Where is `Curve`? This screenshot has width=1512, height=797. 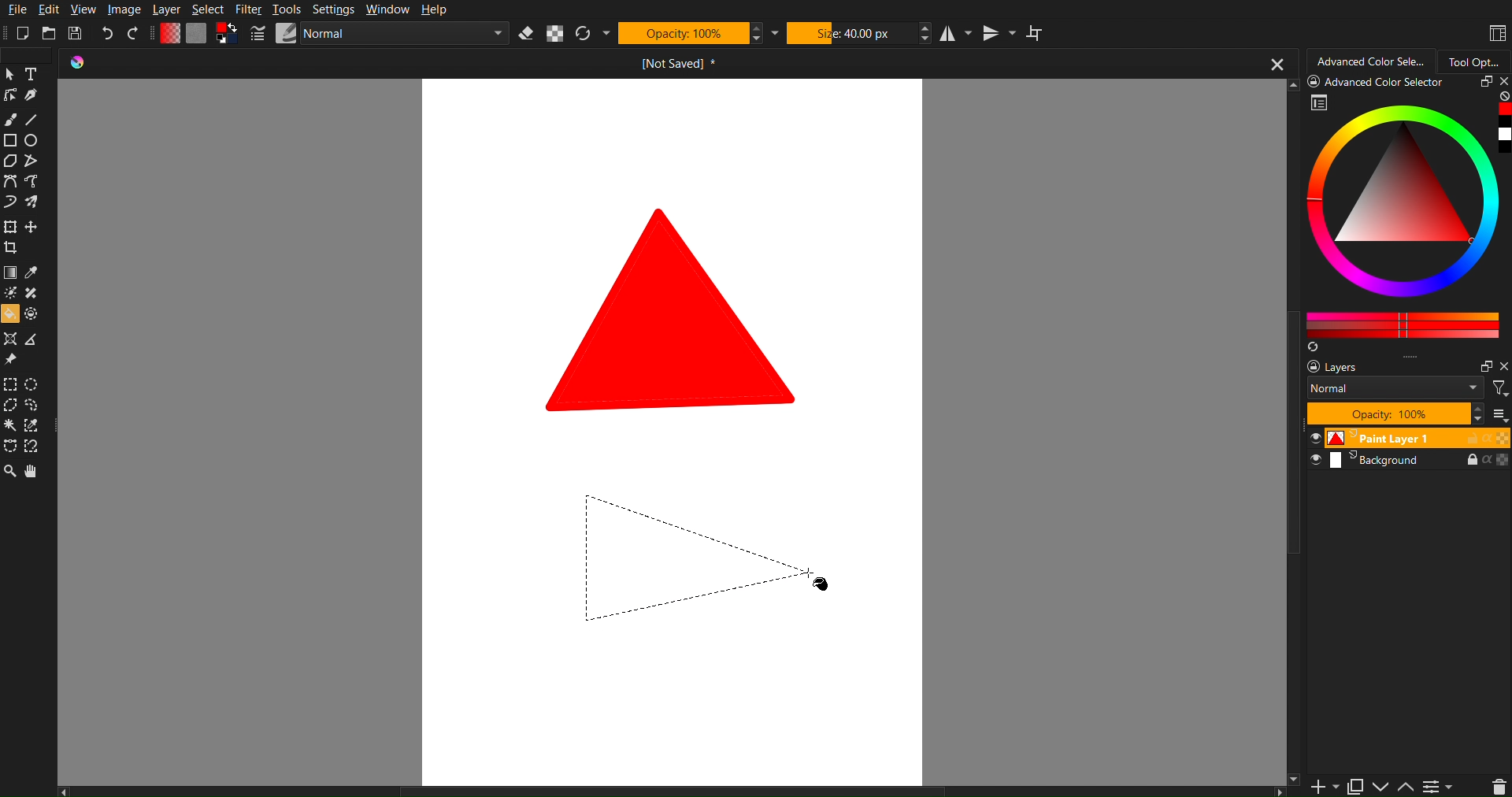 Curve is located at coordinates (9, 204).